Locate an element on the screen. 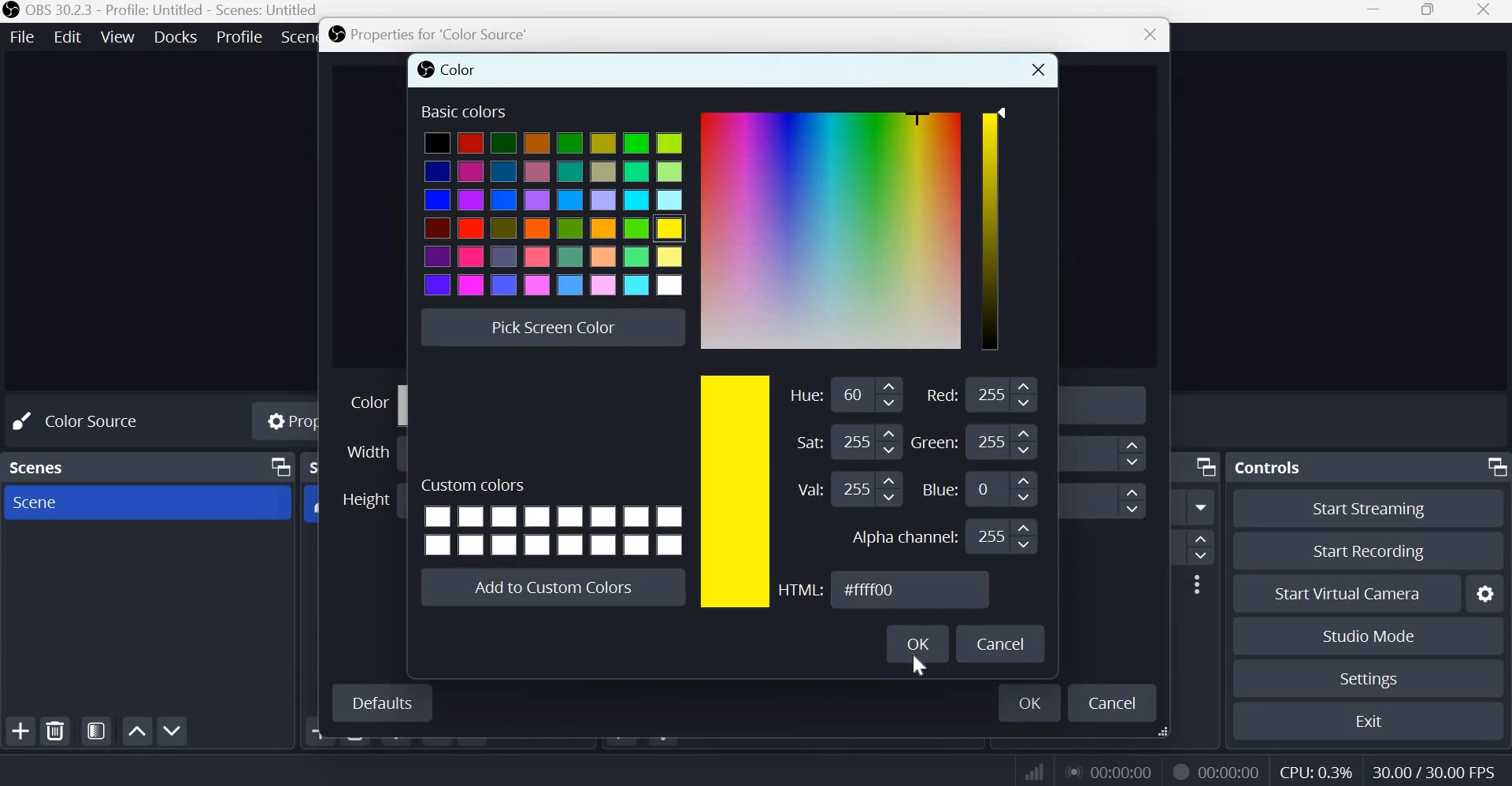 This screenshot has width=1512, height=786. Controls is located at coordinates (1272, 465).